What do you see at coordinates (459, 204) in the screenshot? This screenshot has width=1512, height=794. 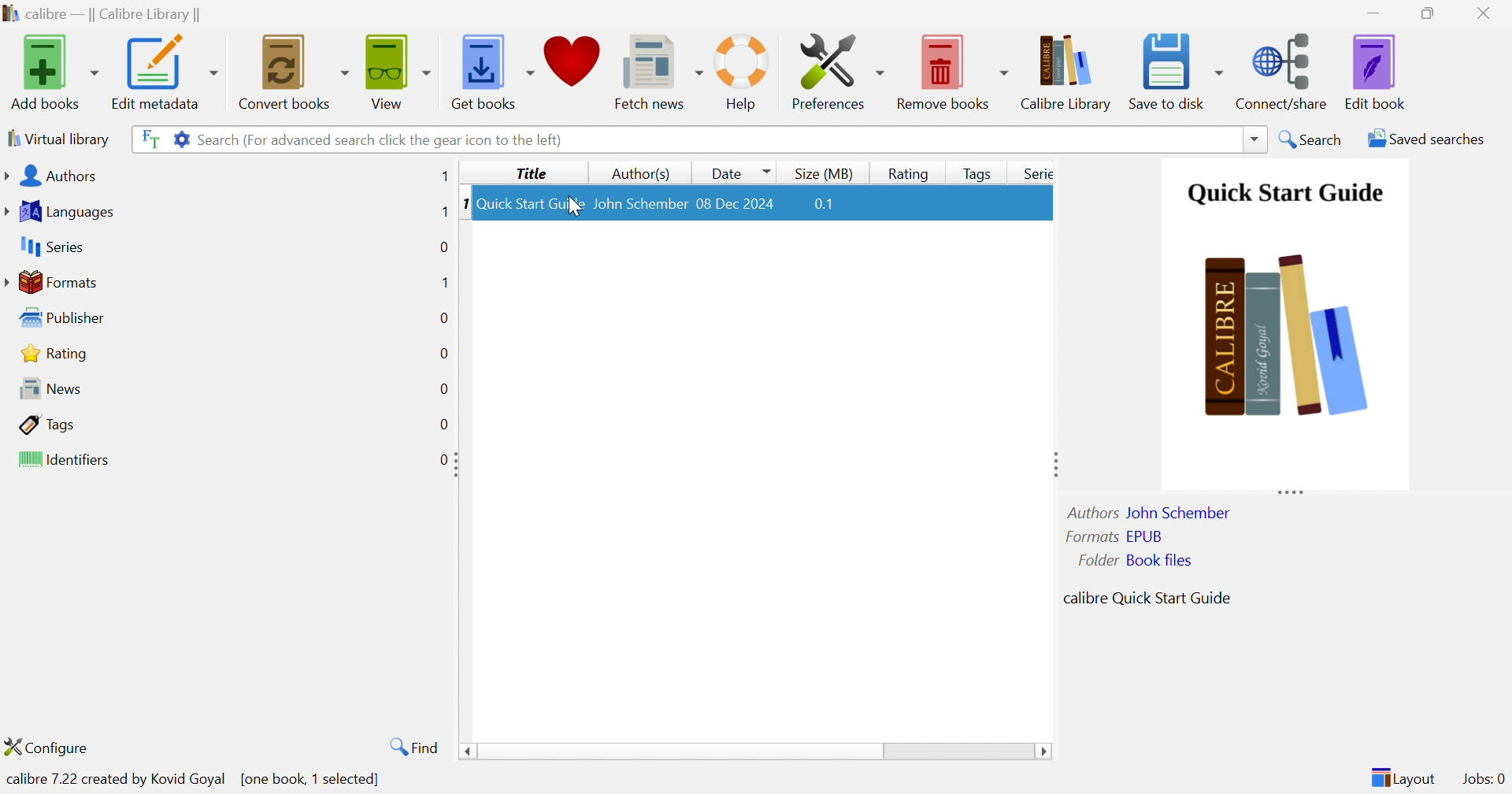 I see `1` at bounding box center [459, 204].